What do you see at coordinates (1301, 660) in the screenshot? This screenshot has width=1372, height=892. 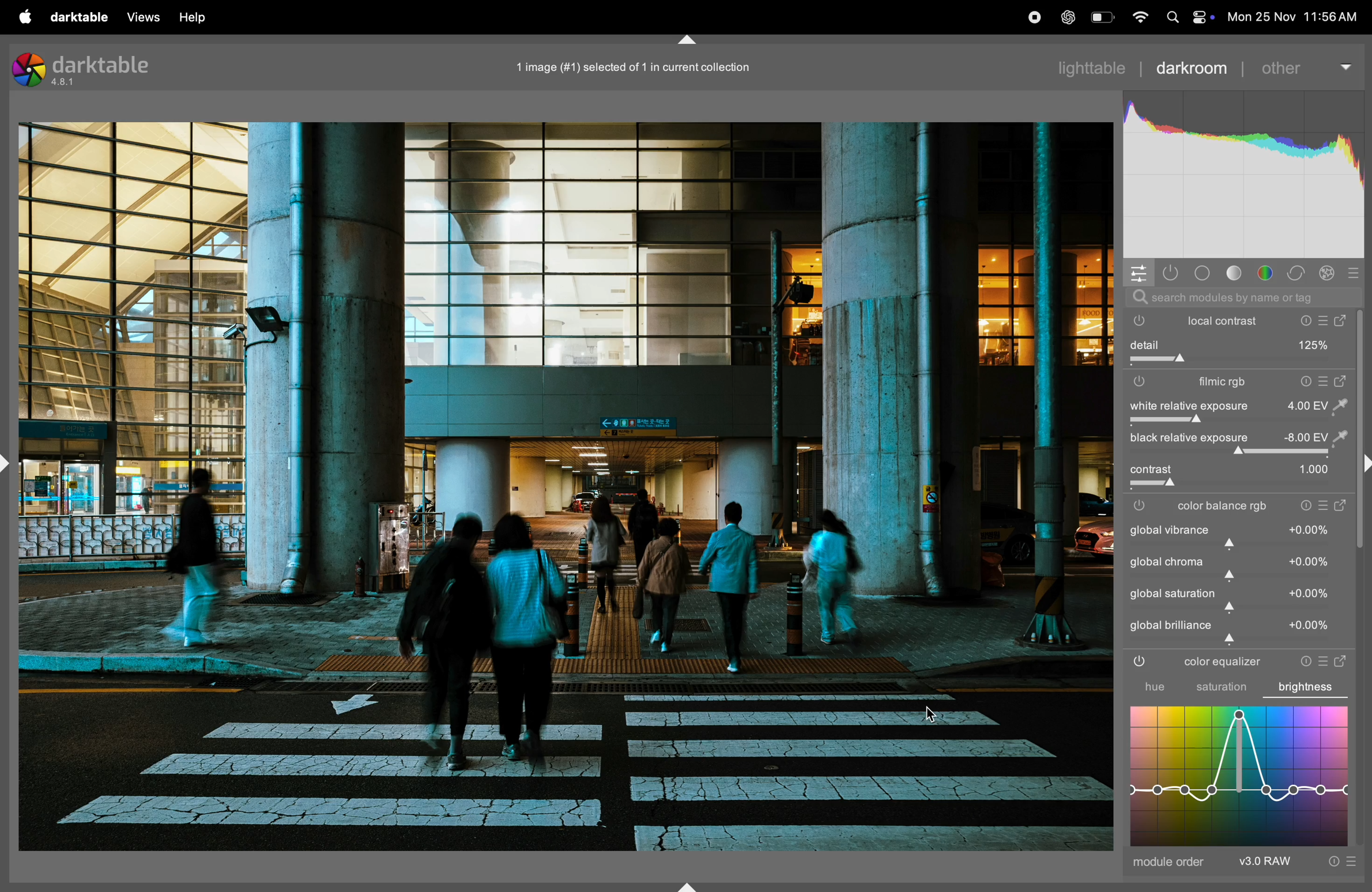 I see `reset parameters` at bounding box center [1301, 660].